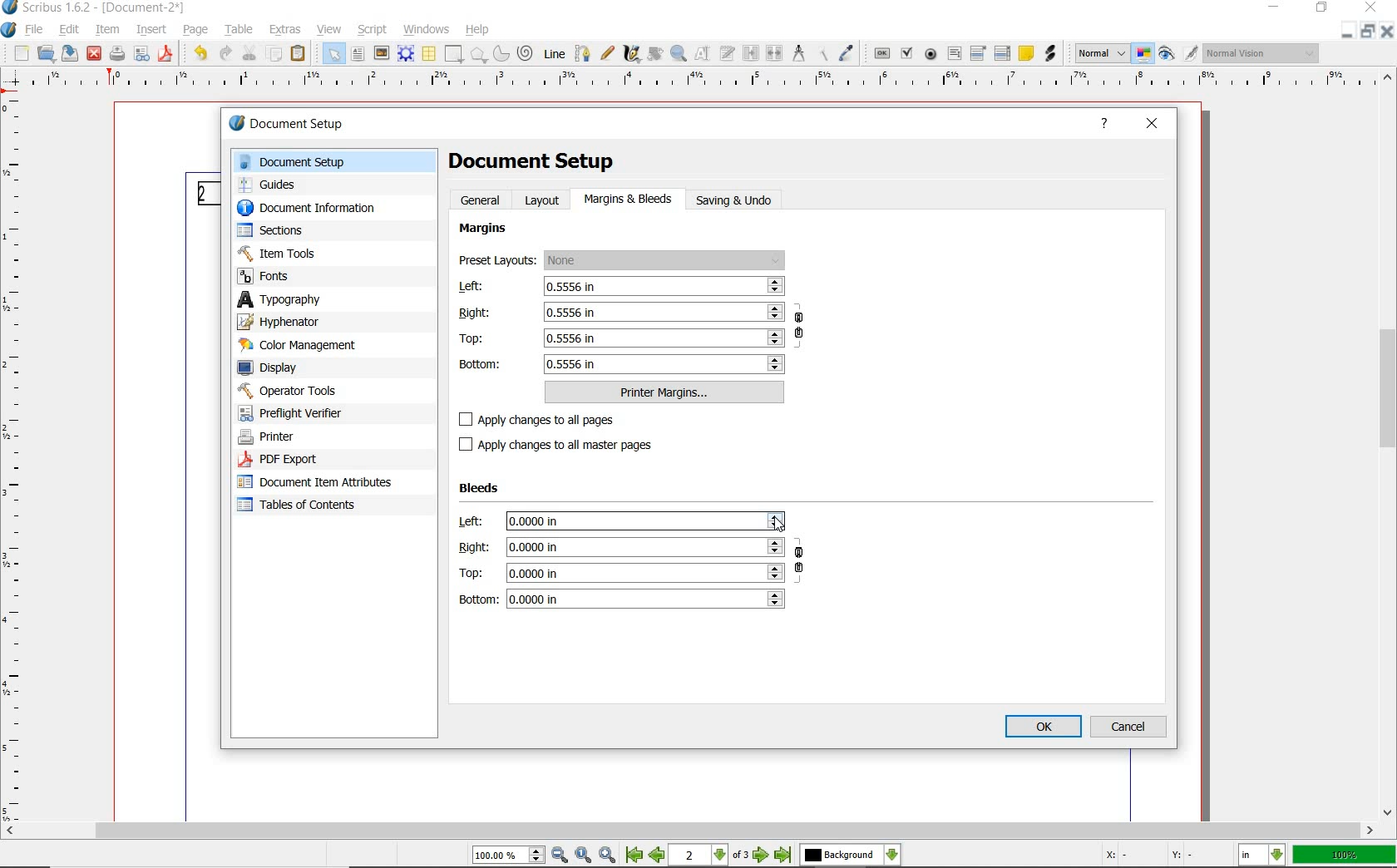  What do you see at coordinates (931, 54) in the screenshot?
I see `pdf radio button` at bounding box center [931, 54].